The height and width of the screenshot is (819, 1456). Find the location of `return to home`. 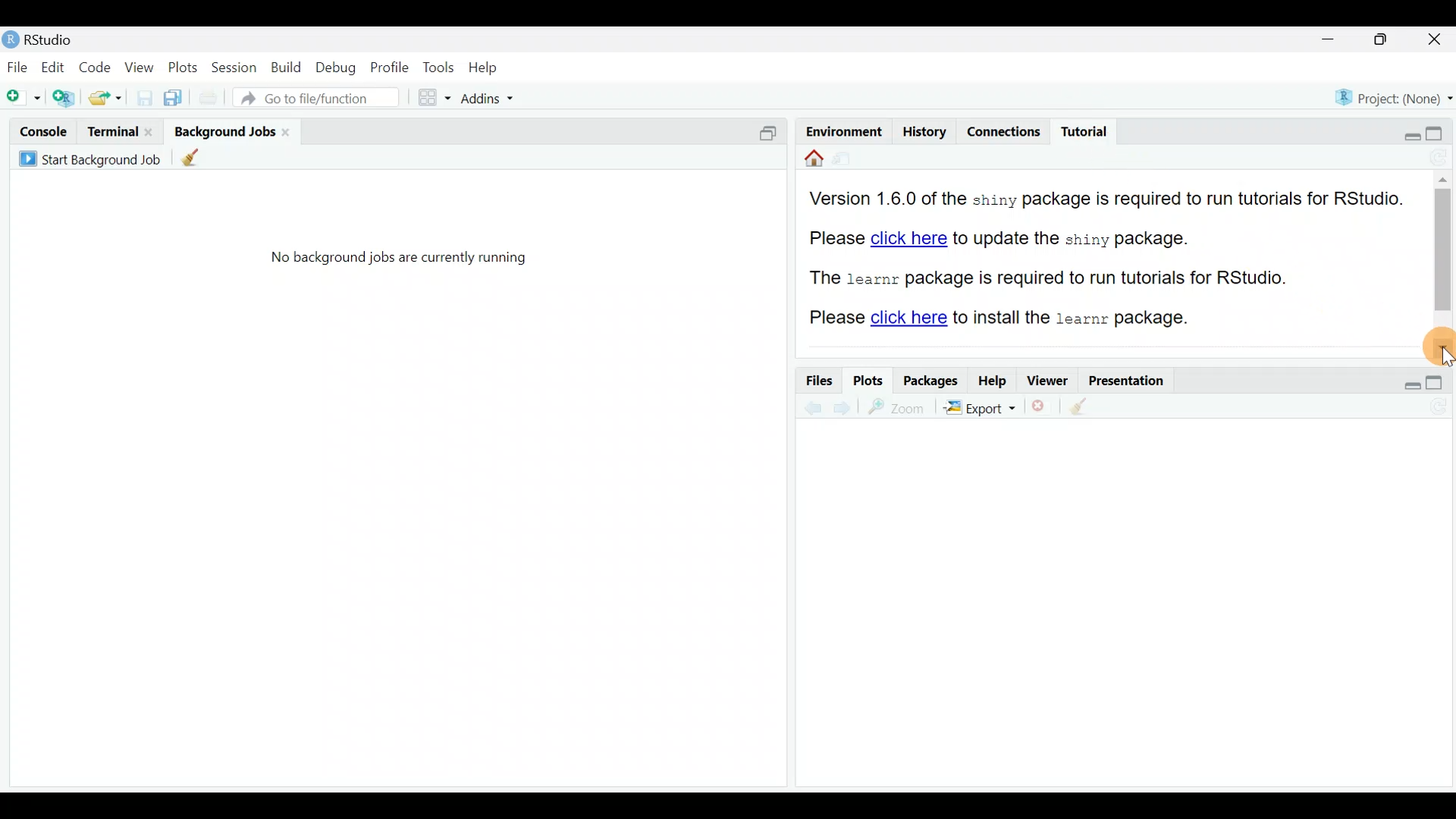

return to home is located at coordinates (809, 162).